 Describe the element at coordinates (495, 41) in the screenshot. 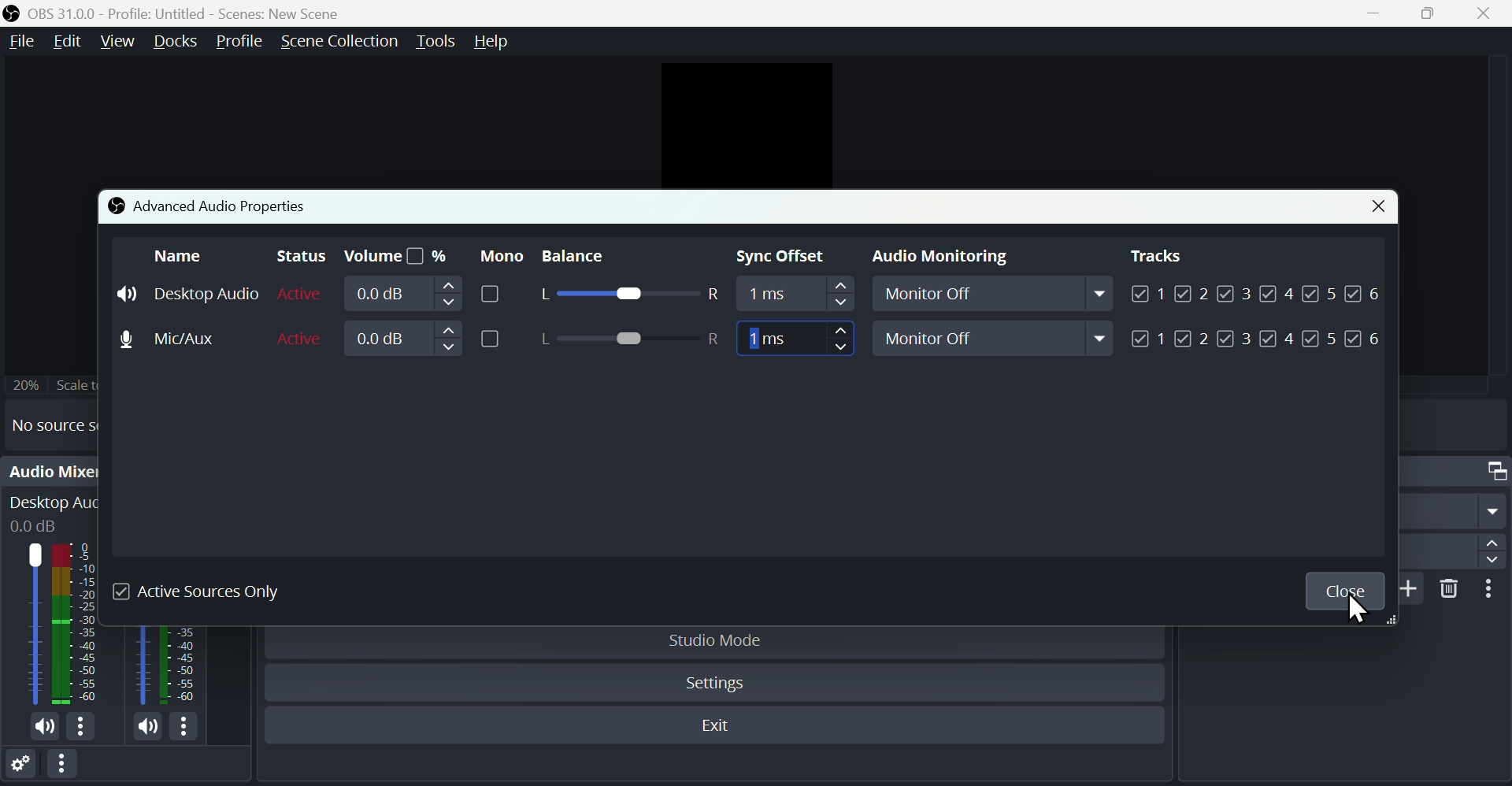

I see `help` at that location.